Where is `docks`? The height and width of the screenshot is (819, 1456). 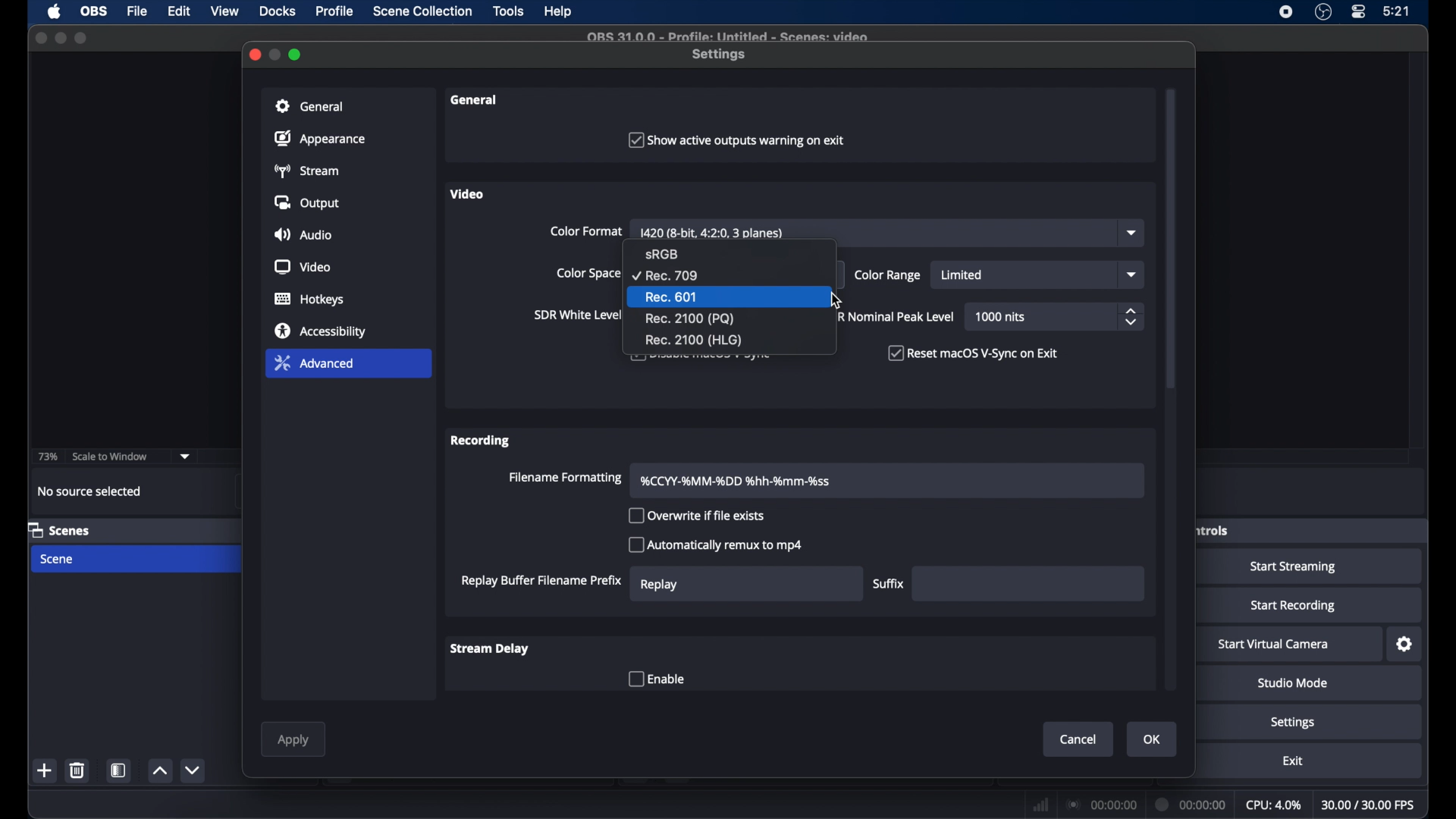
docks is located at coordinates (278, 11).